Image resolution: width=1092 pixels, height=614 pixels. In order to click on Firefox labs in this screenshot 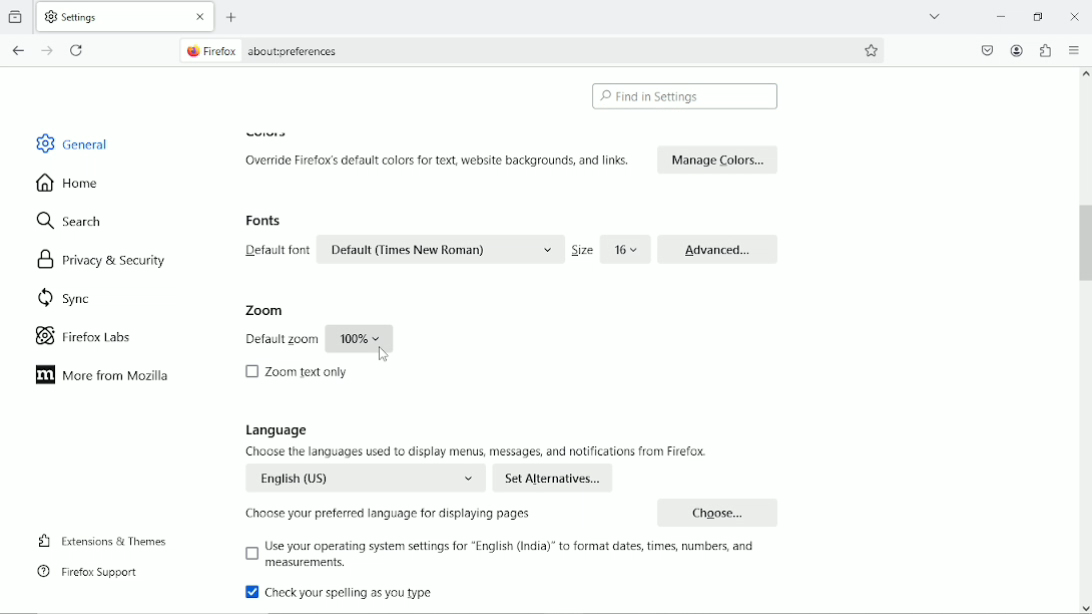, I will do `click(96, 337)`.